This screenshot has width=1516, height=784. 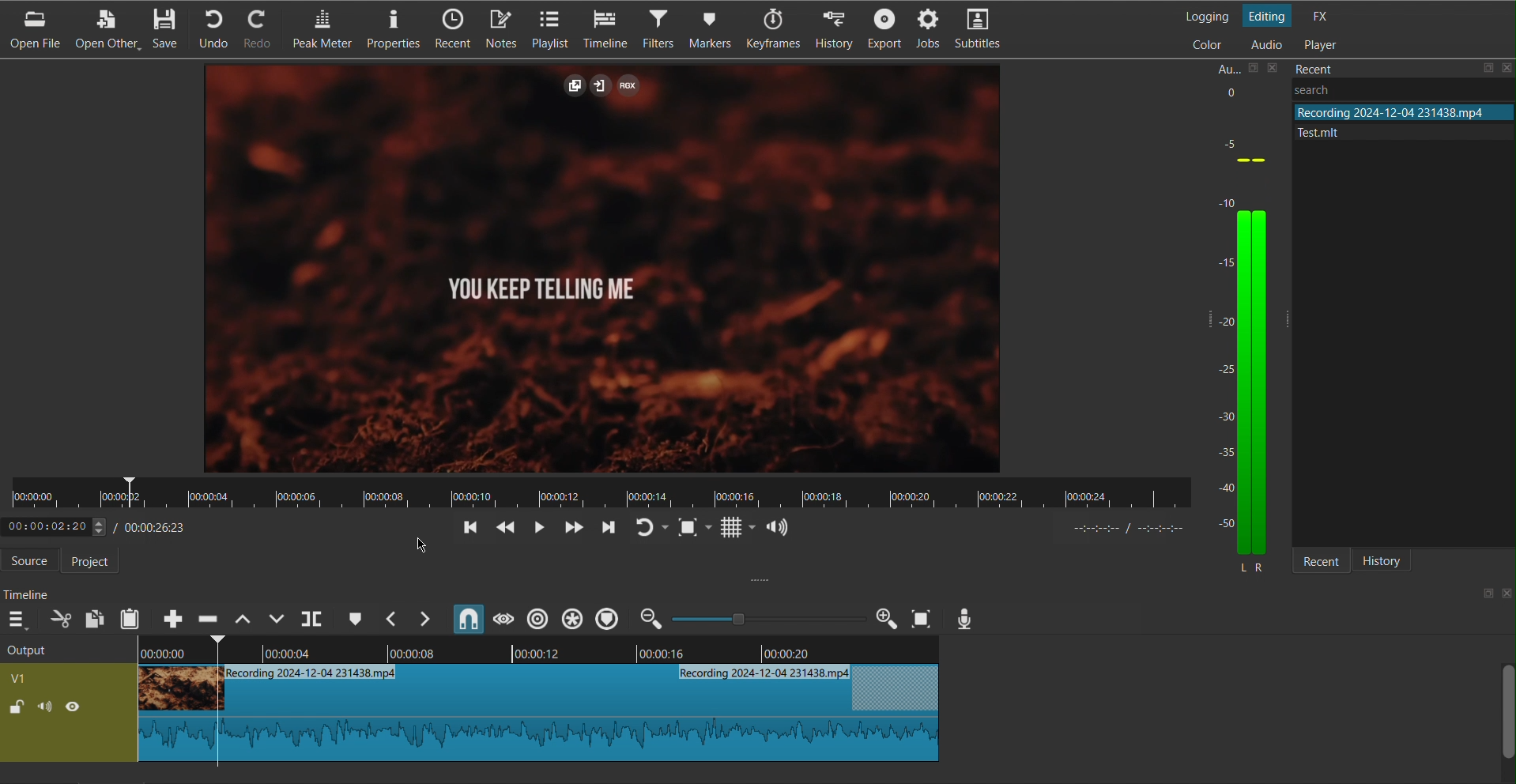 I want to click on (un)hide, so click(x=73, y=706).